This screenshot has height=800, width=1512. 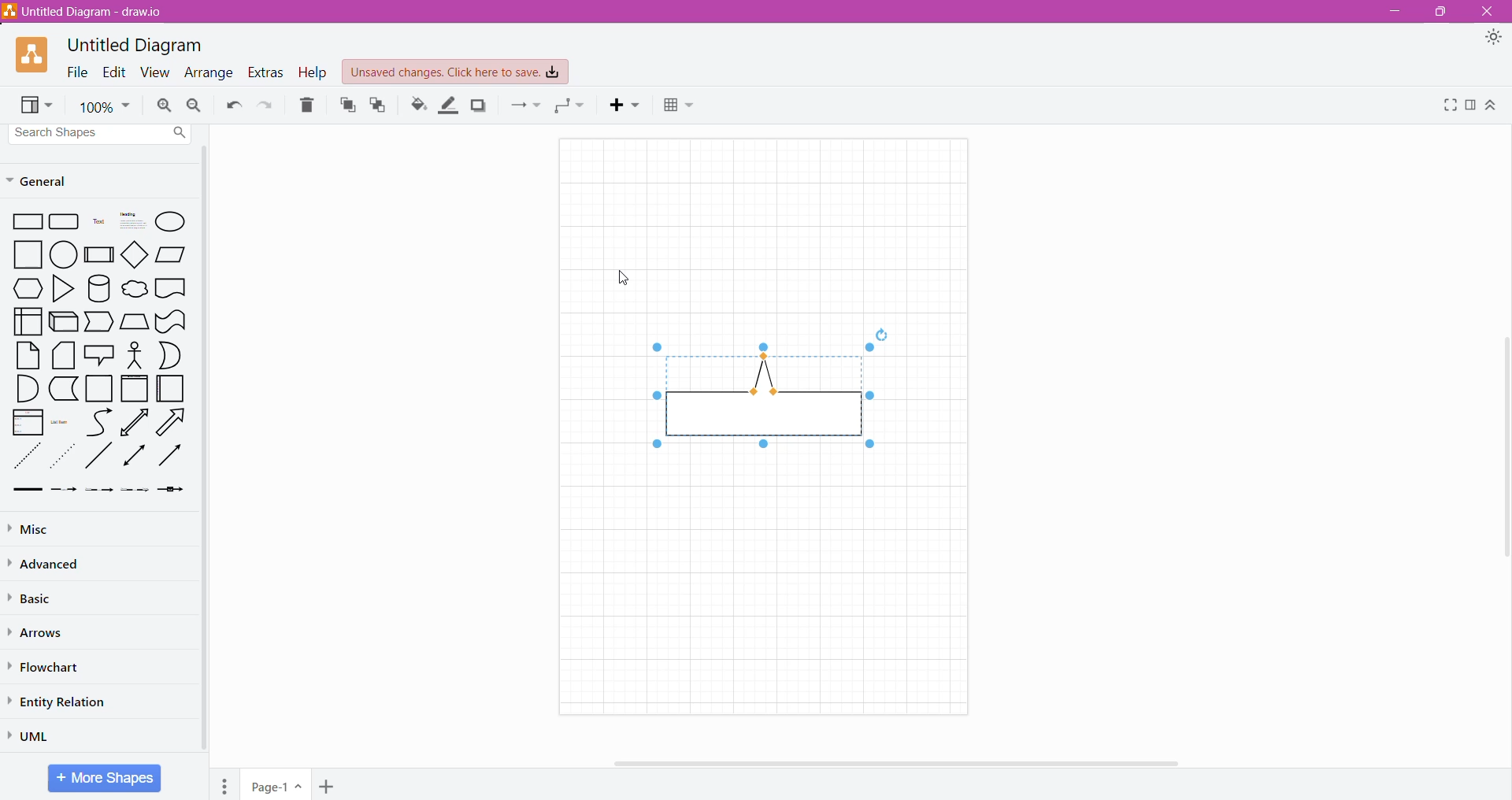 I want to click on circle, so click(x=63, y=255).